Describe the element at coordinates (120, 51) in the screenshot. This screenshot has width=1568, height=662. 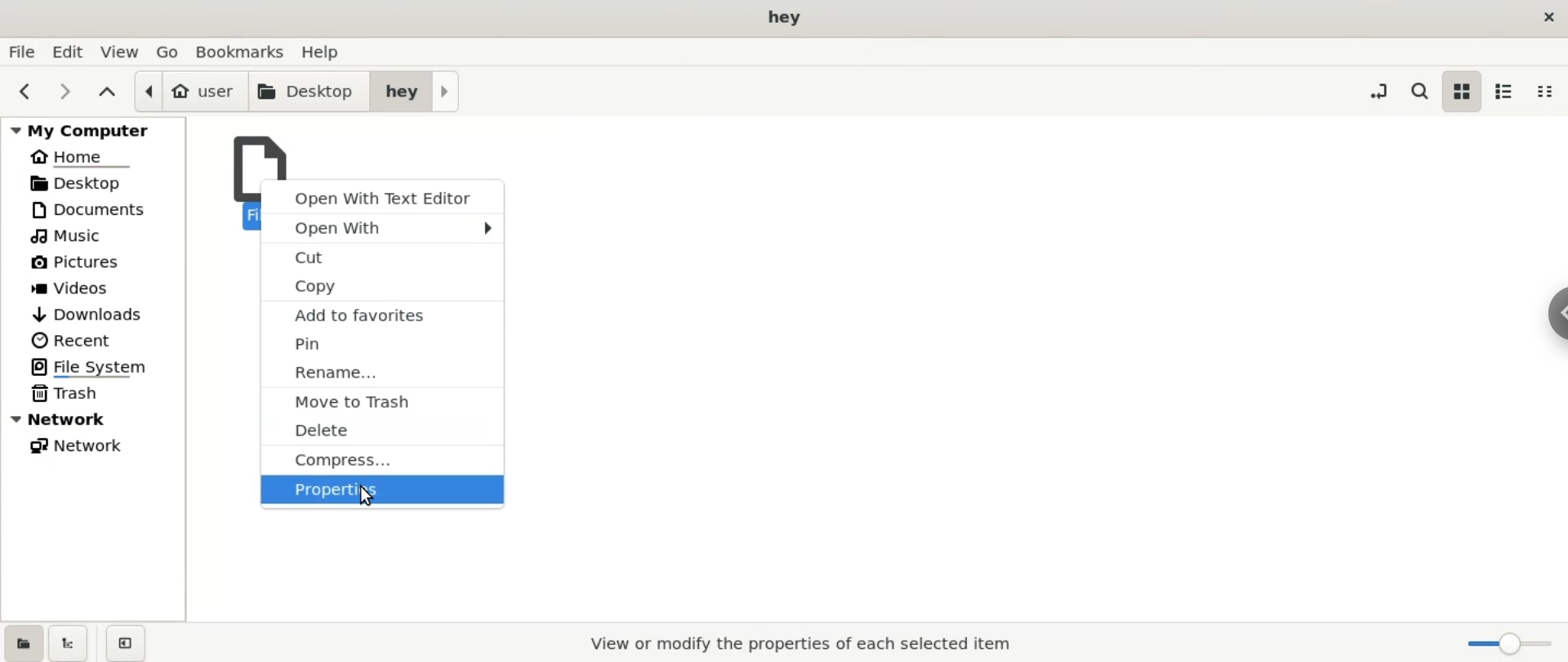
I see `view` at that location.